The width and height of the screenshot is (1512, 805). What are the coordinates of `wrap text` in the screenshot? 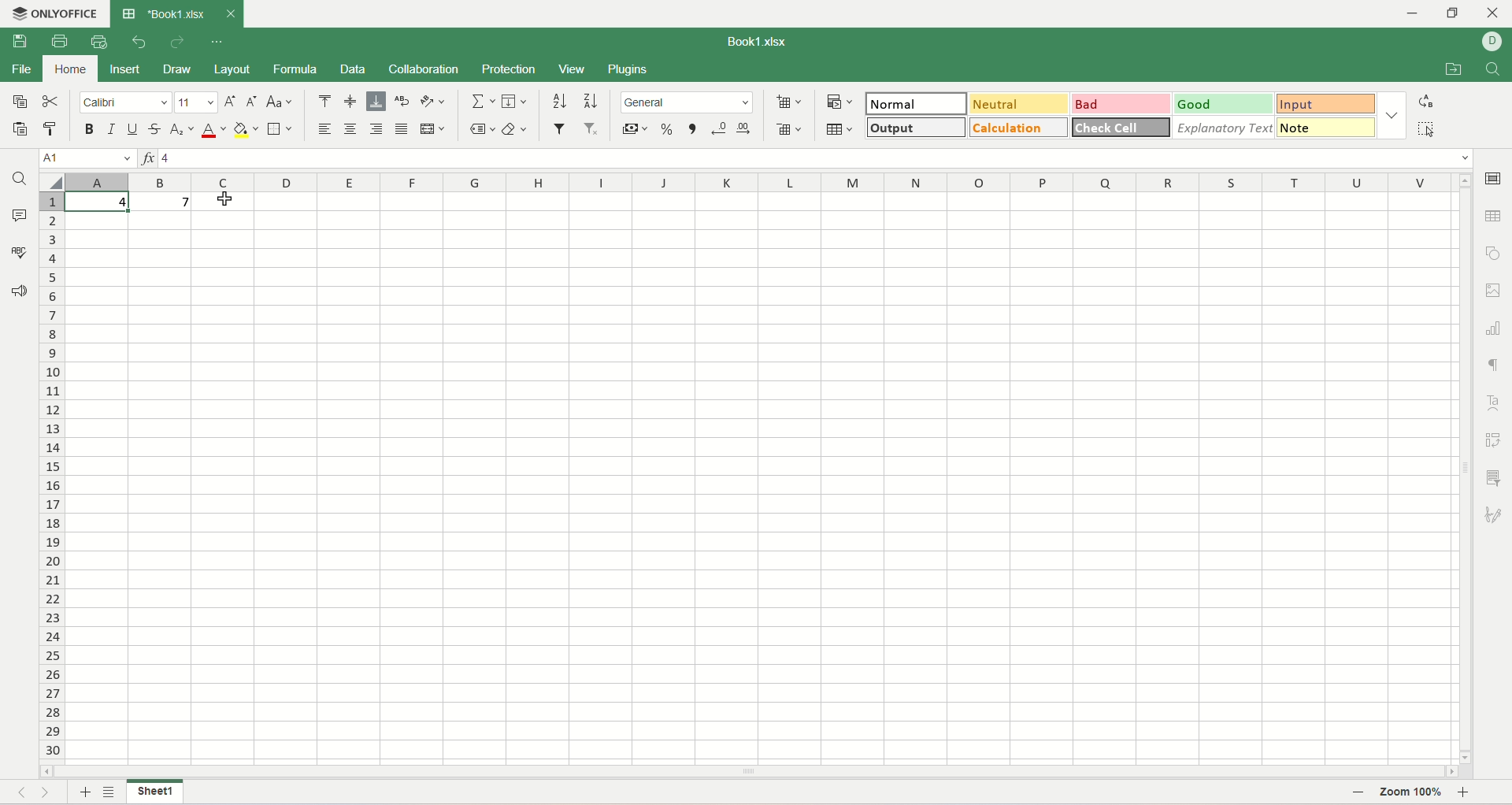 It's located at (401, 102).